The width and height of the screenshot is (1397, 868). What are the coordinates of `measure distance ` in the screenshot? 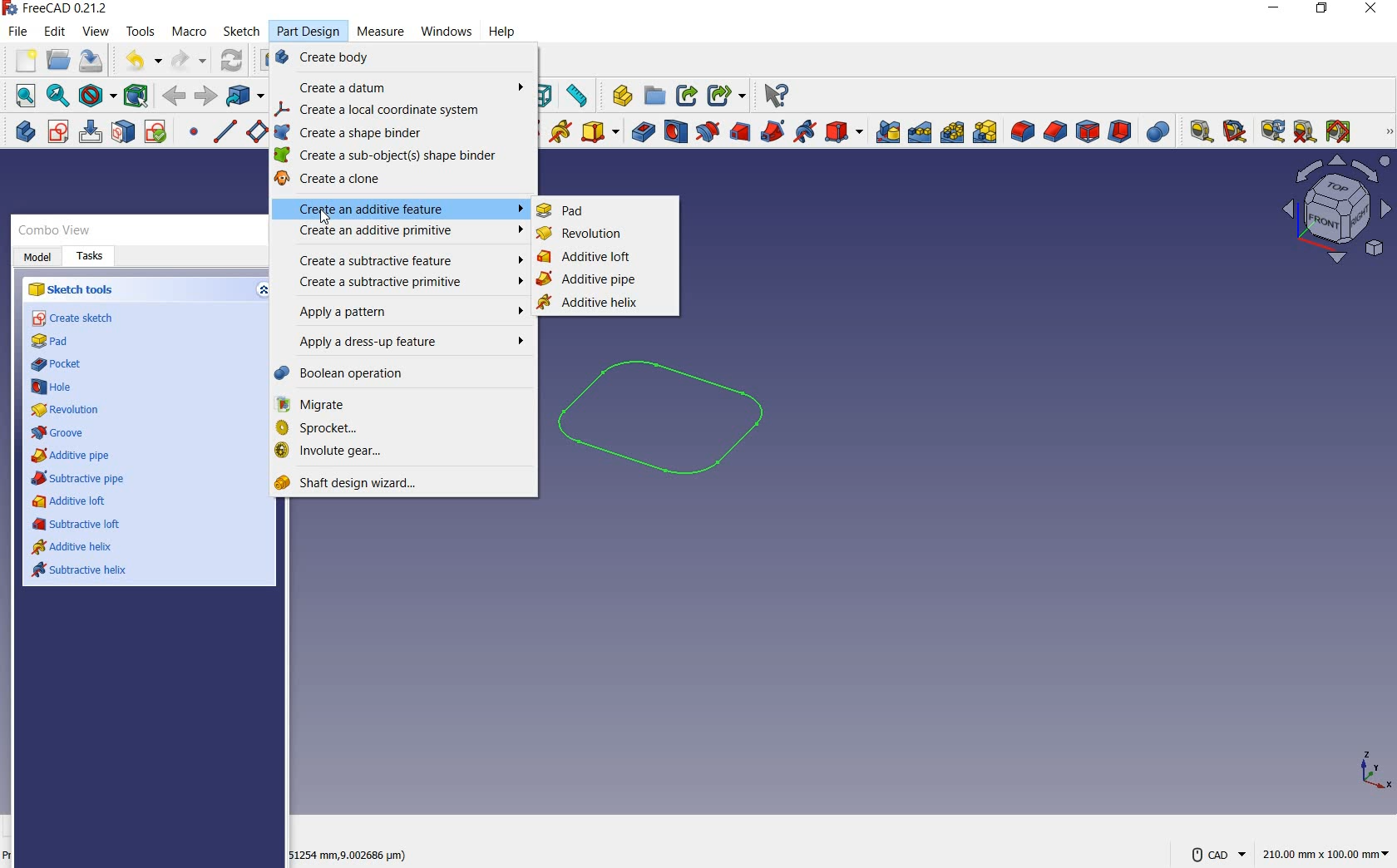 It's located at (579, 95).